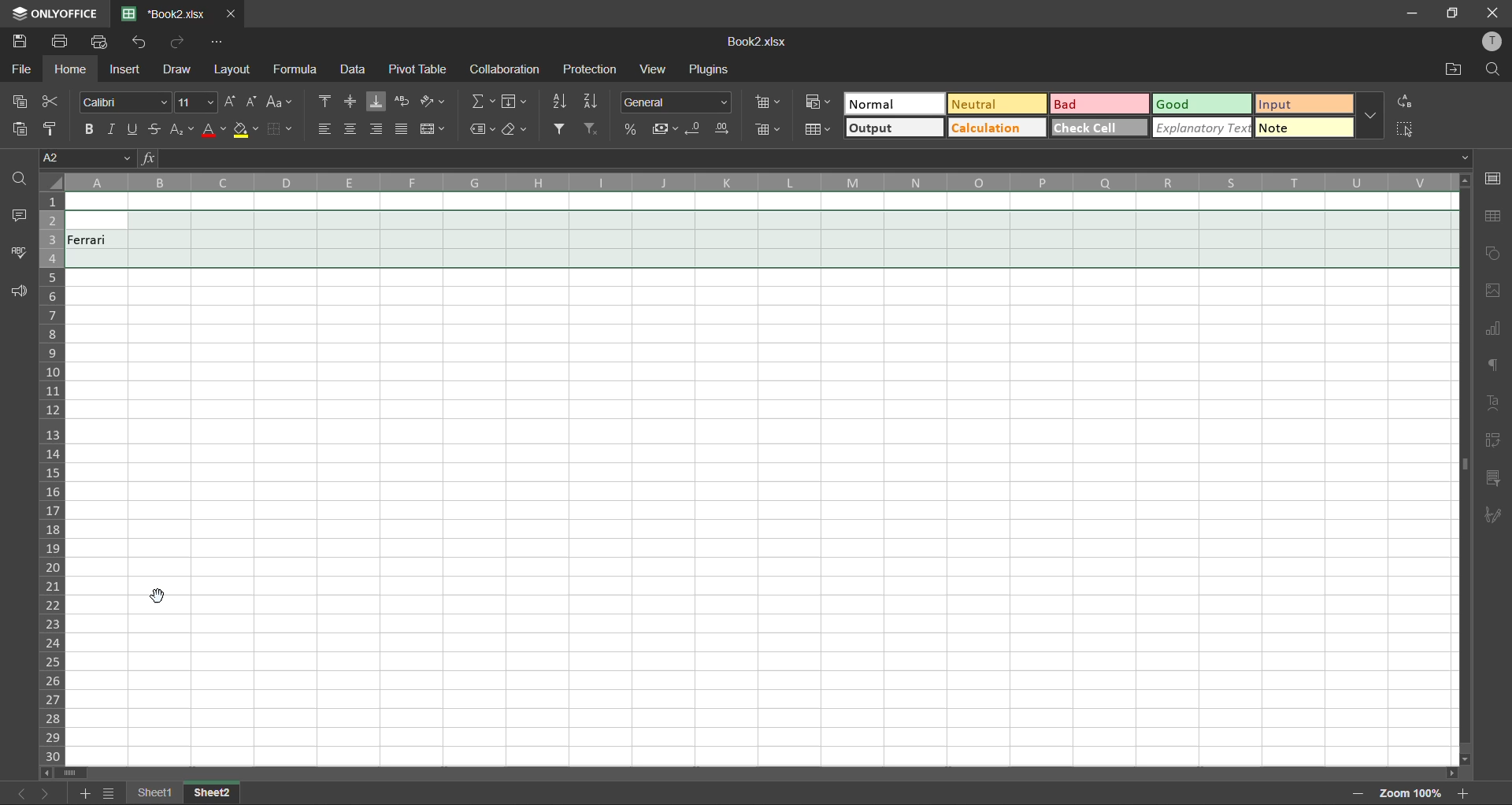 The height and width of the screenshot is (805, 1512). I want to click on feedback, so click(20, 293).